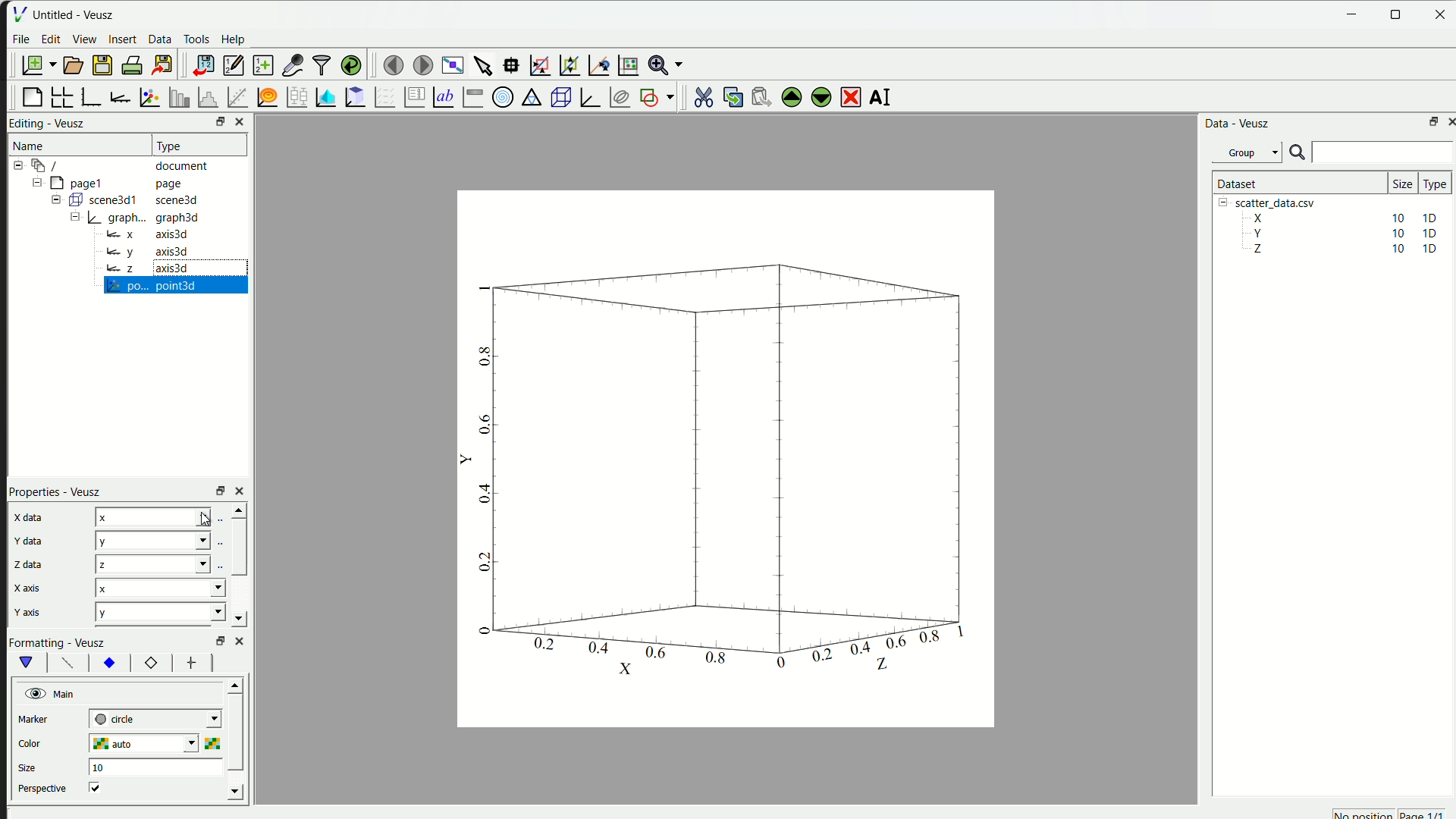 The image size is (1456, 819). Describe the element at coordinates (790, 96) in the screenshot. I see `move up the selected widget` at that location.